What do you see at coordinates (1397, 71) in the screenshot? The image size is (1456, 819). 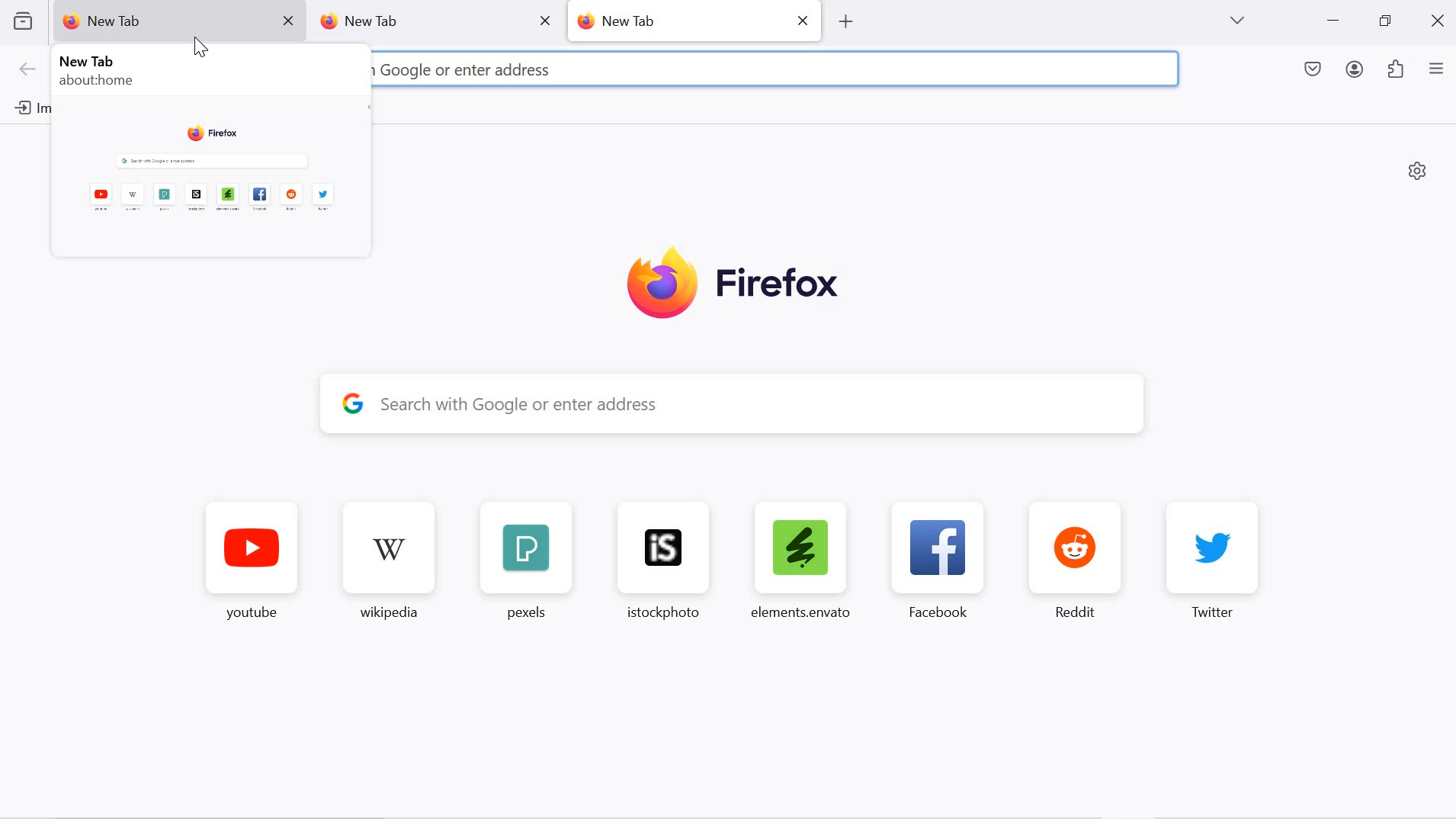 I see `extensions` at bounding box center [1397, 71].